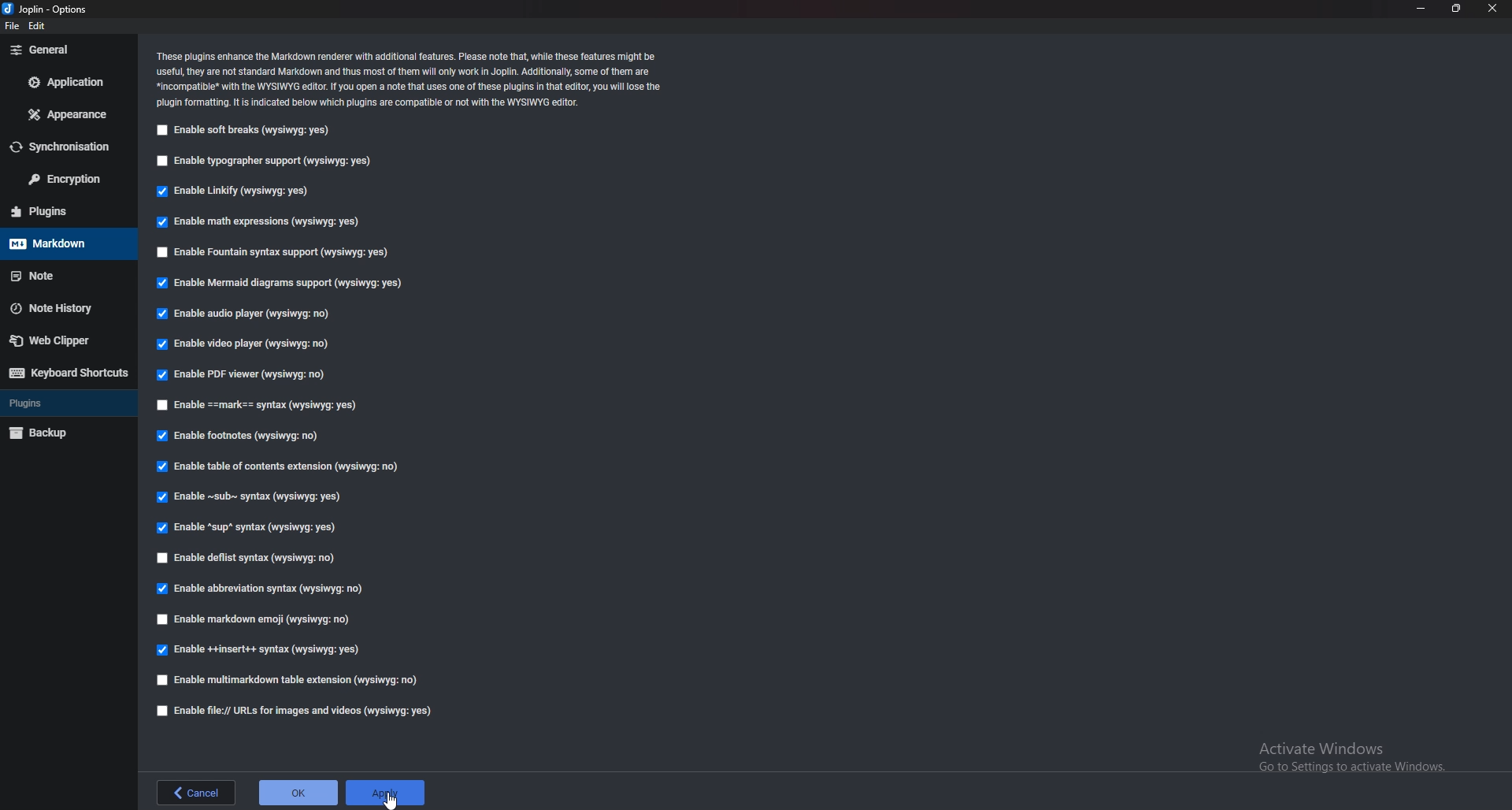  Describe the element at coordinates (65, 404) in the screenshot. I see `plugins` at that location.